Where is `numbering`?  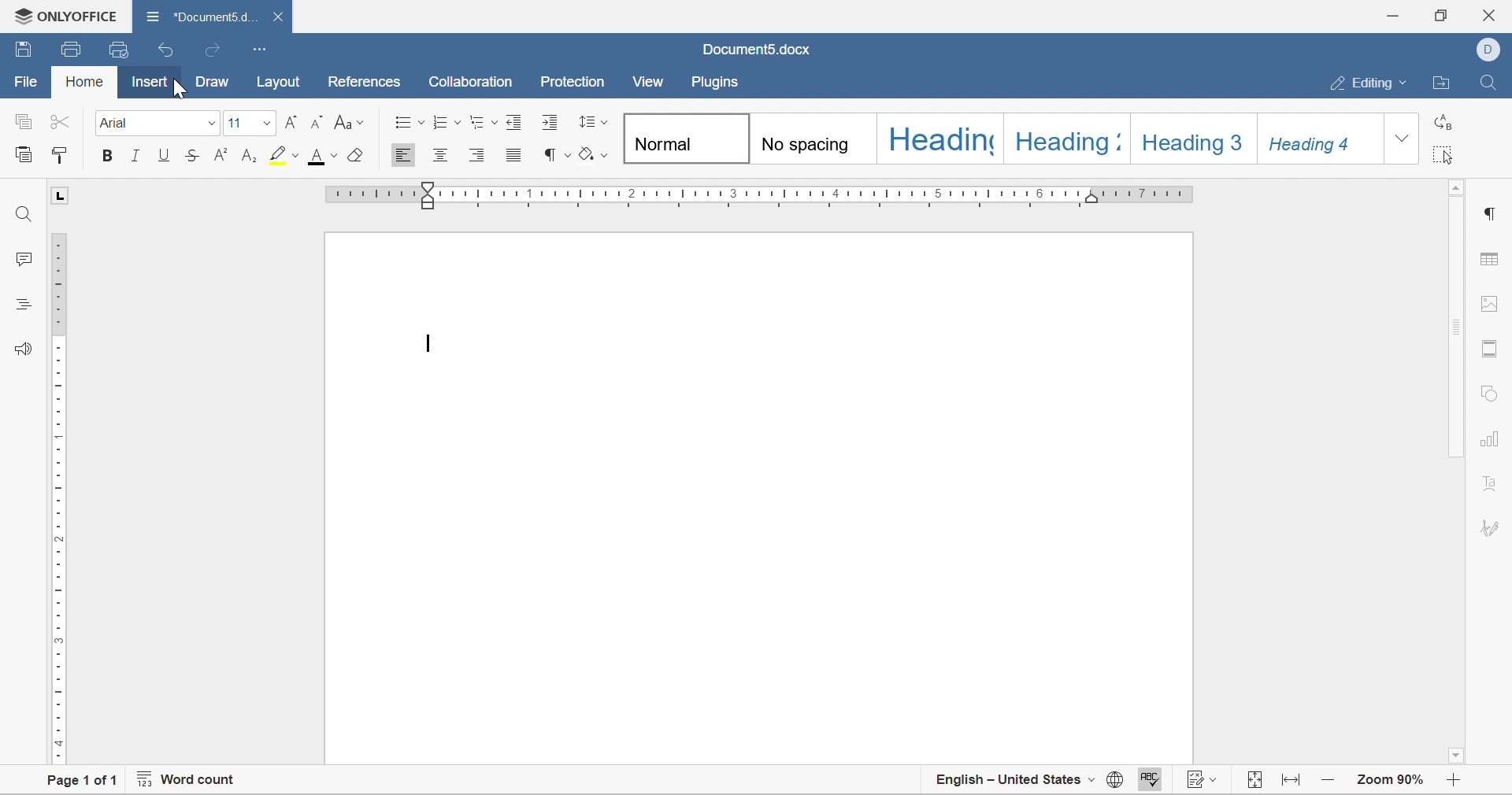
numbering is located at coordinates (443, 122).